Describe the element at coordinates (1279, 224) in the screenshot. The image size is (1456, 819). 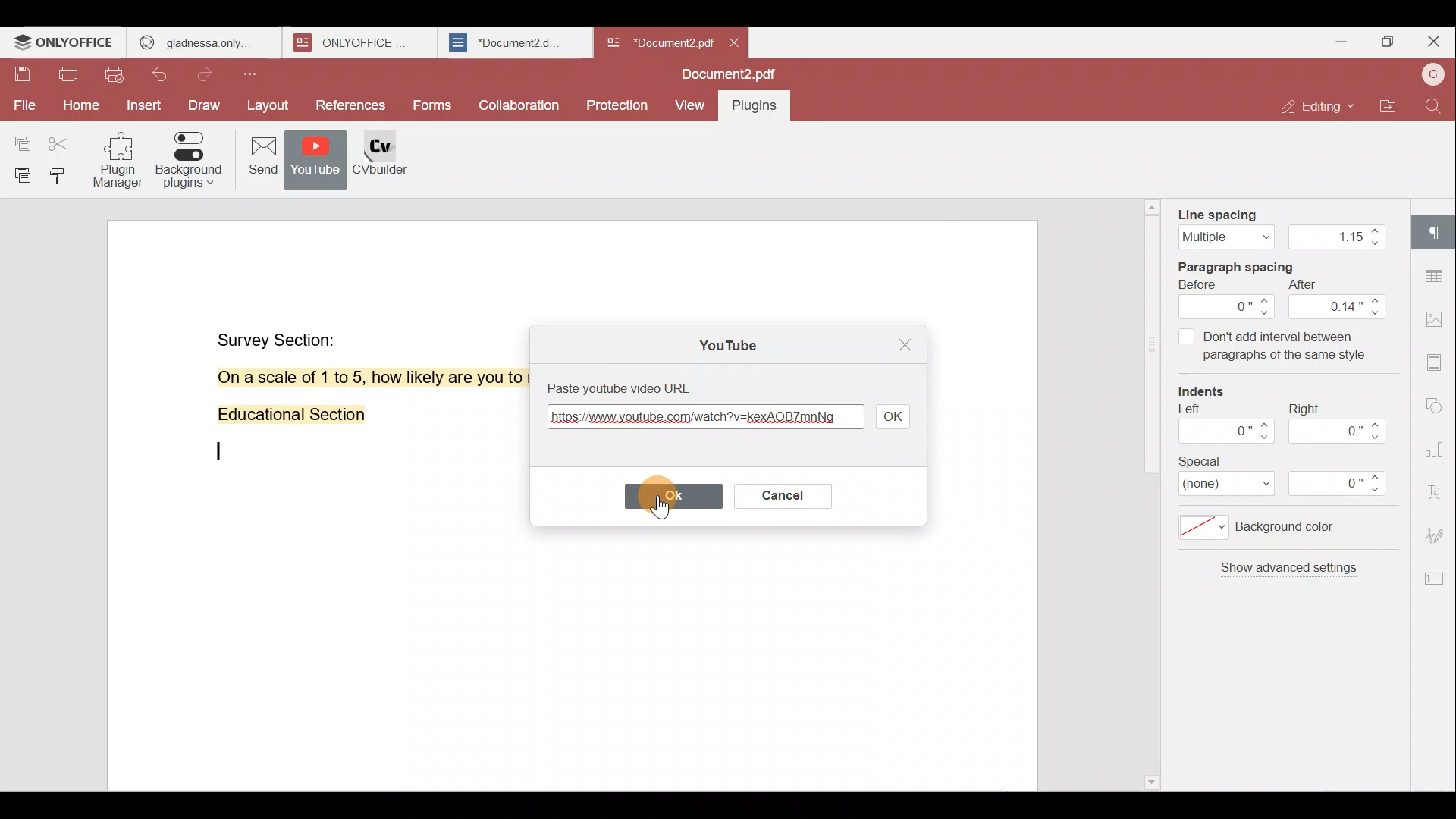
I see `Line spacing` at that location.